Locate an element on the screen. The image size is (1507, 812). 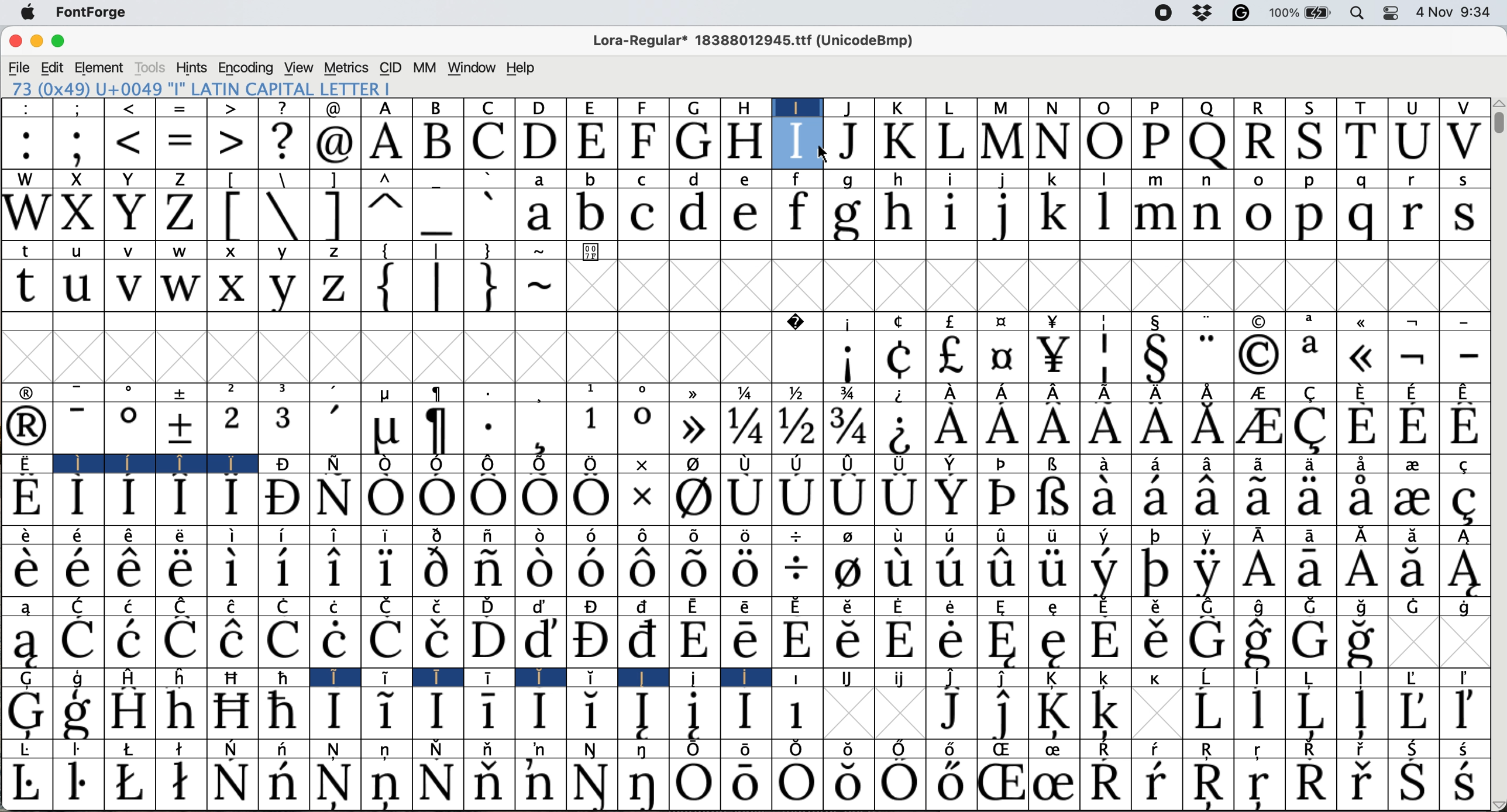
k is located at coordinates (1054, 216).